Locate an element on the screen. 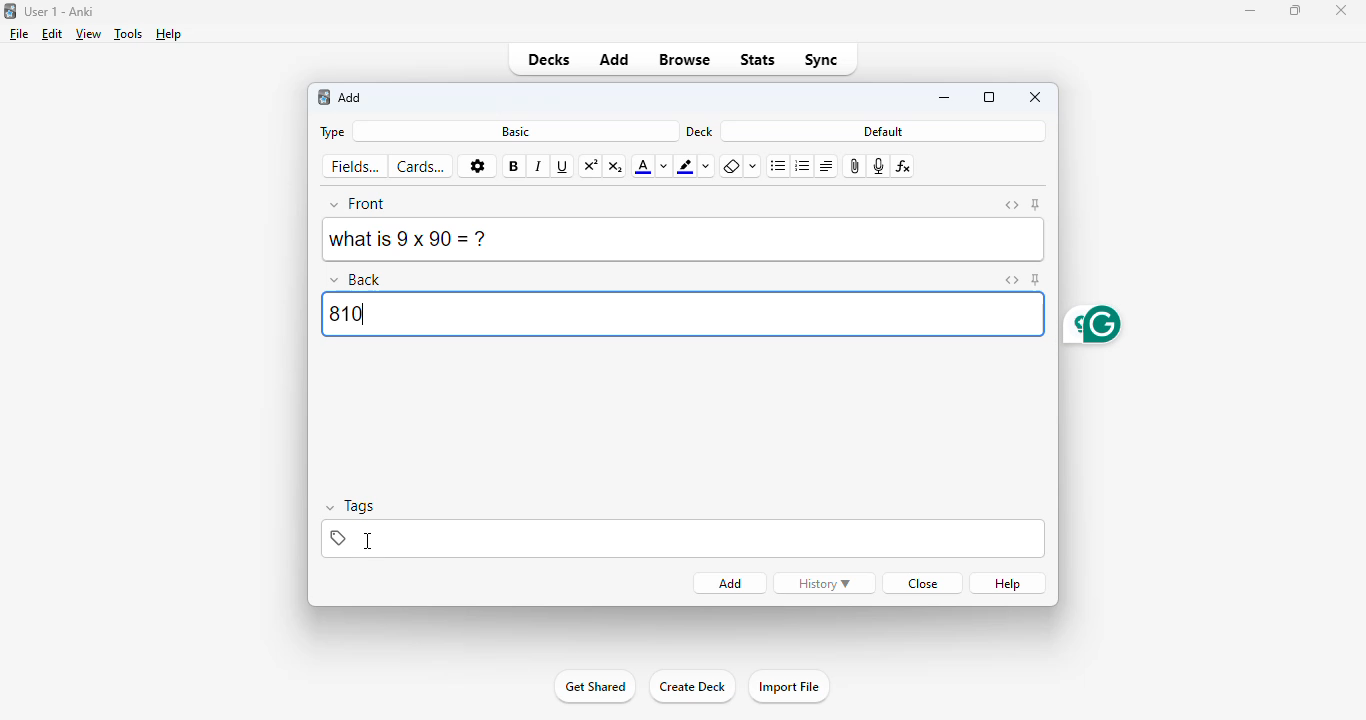 Image resolution: width=1366 pixels, height=720 pixels. add is located at coordinates (616, 58).